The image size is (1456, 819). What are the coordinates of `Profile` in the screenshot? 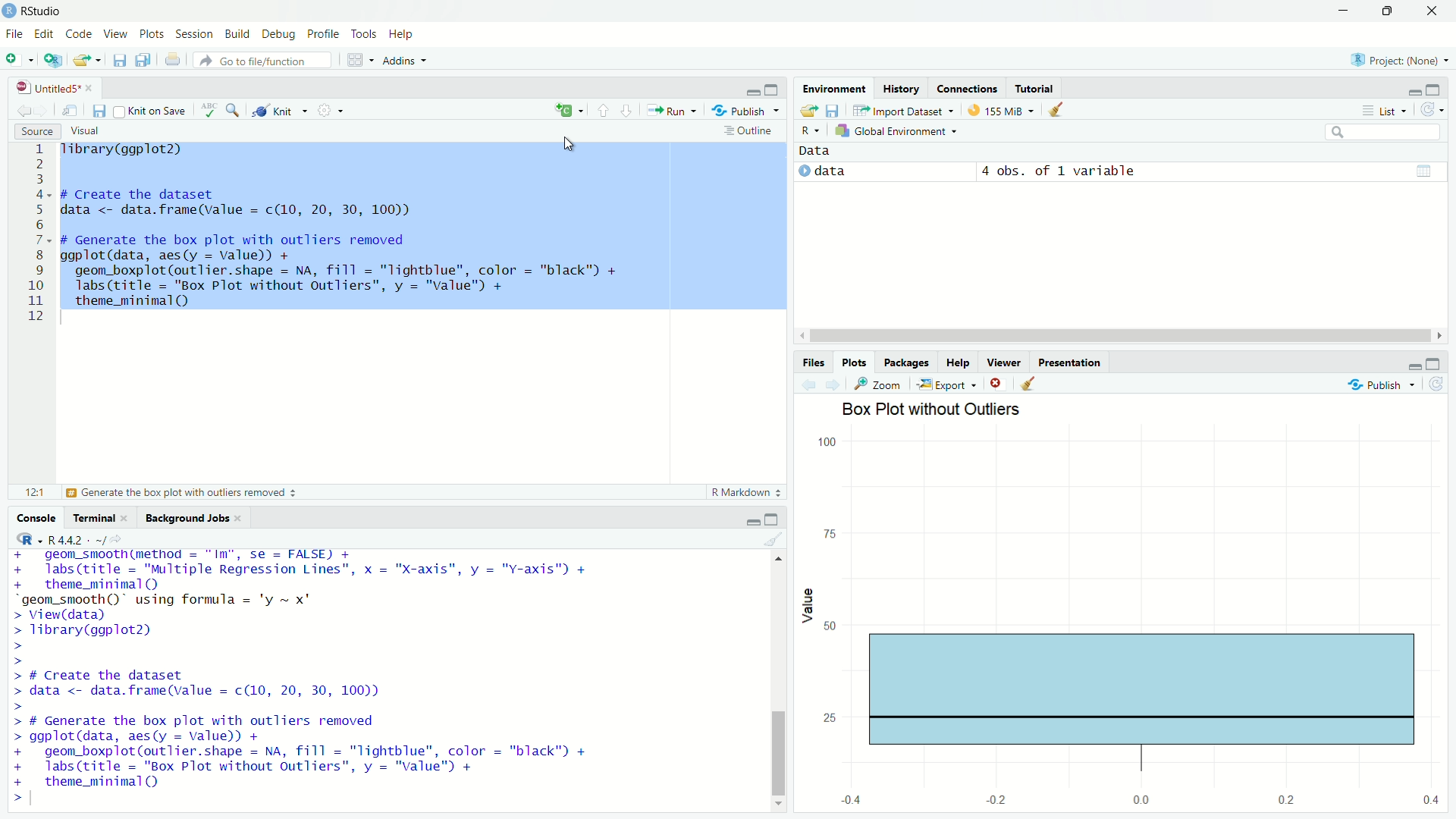 It's located at (326, 35).